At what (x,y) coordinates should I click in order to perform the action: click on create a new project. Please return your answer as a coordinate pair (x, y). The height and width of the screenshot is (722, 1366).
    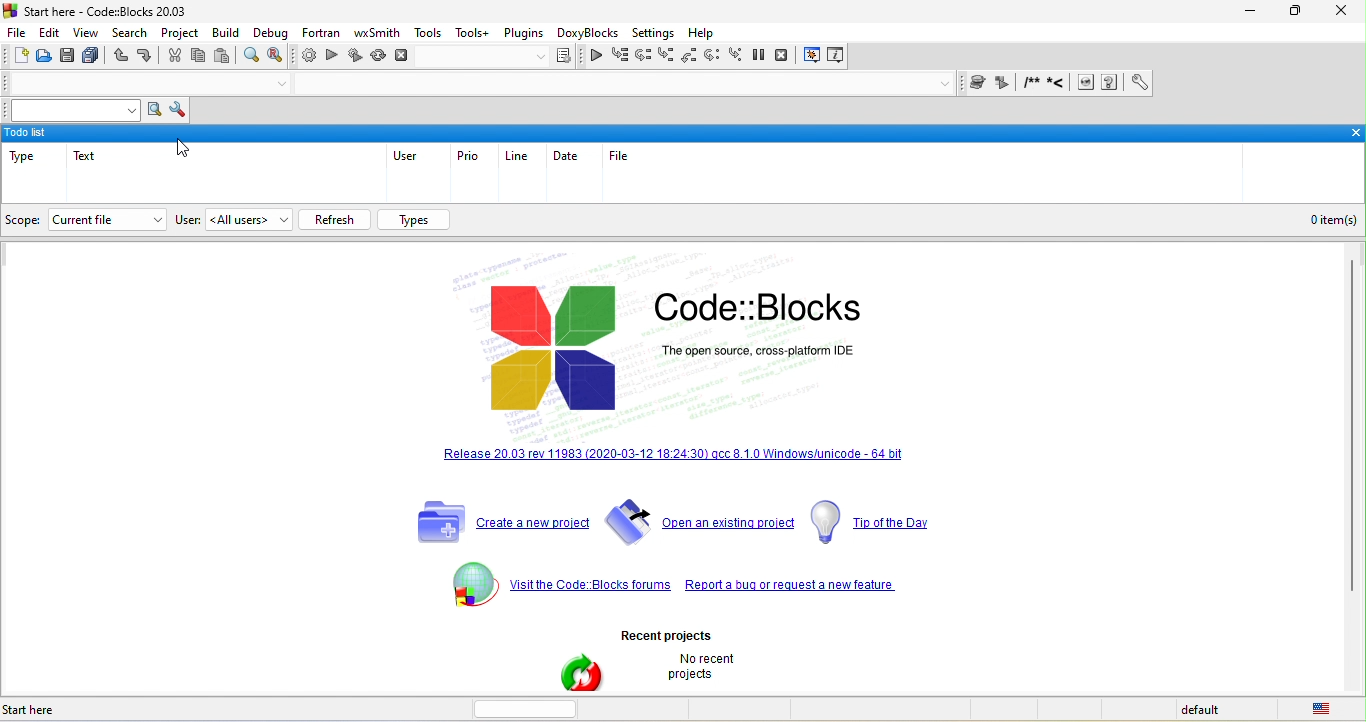
    Looking at the image, I should click on (504, 525).